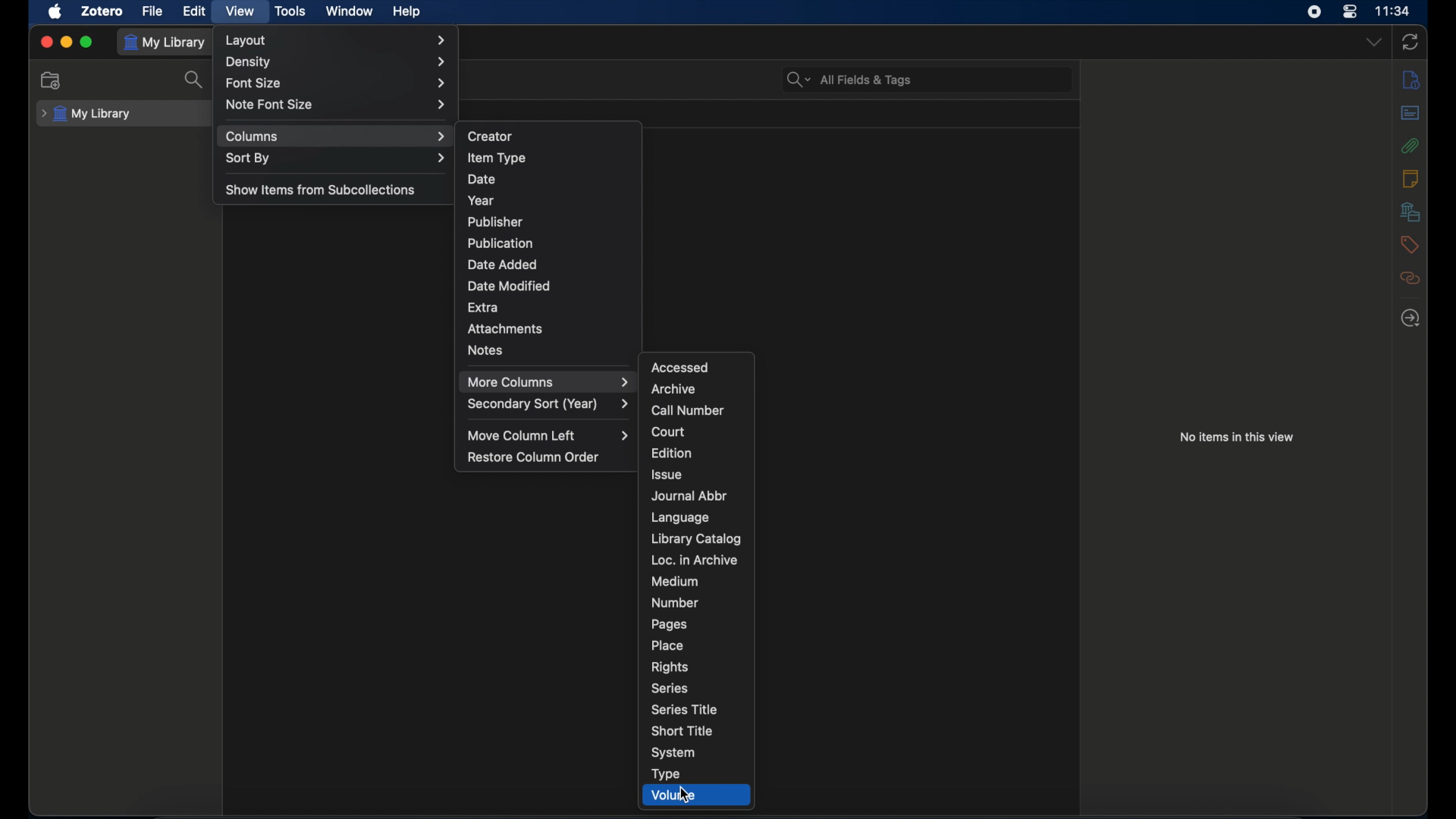 This screenshot has width=1456, height=819. What do you see at coordinates (681, 368) in the screenshot?
I see `accessed` at bounding box center [681, 368].